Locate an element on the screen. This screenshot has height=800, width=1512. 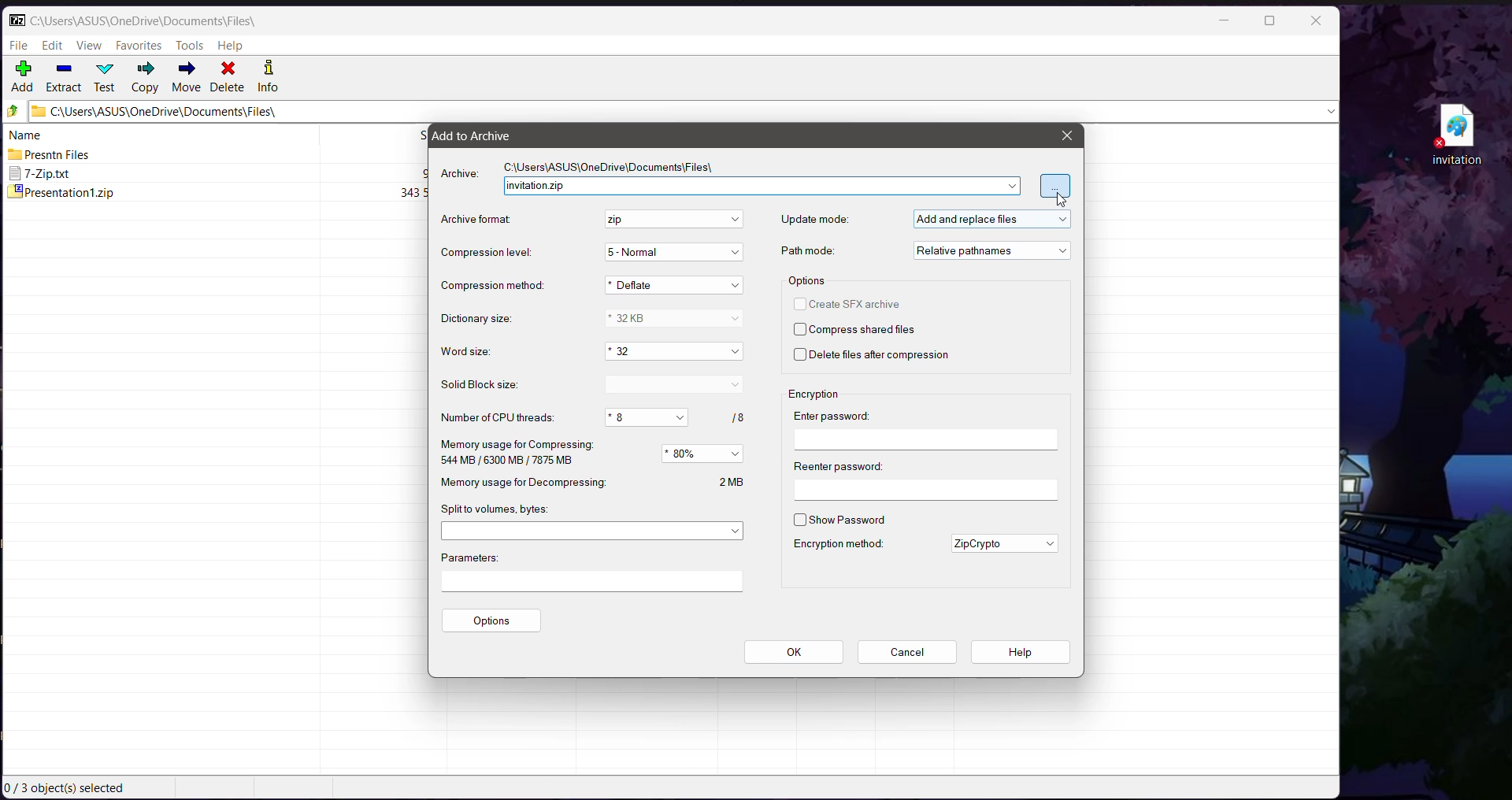
File on Desktop is located at coordinates (1454, 135).